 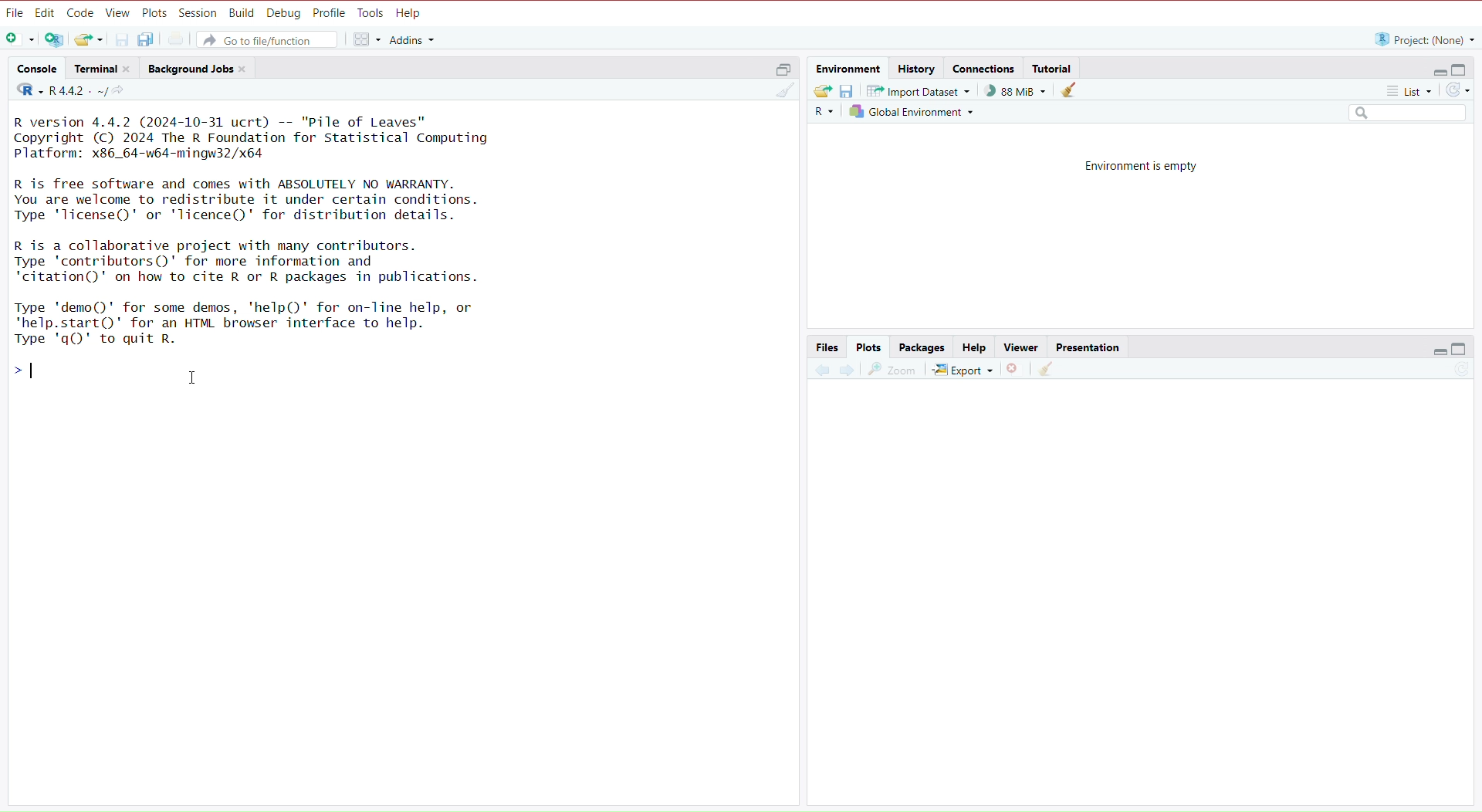 What do you see at coordinates (963, 370) in the screenshot?
I see `Export` at bounding box center [963, 370].